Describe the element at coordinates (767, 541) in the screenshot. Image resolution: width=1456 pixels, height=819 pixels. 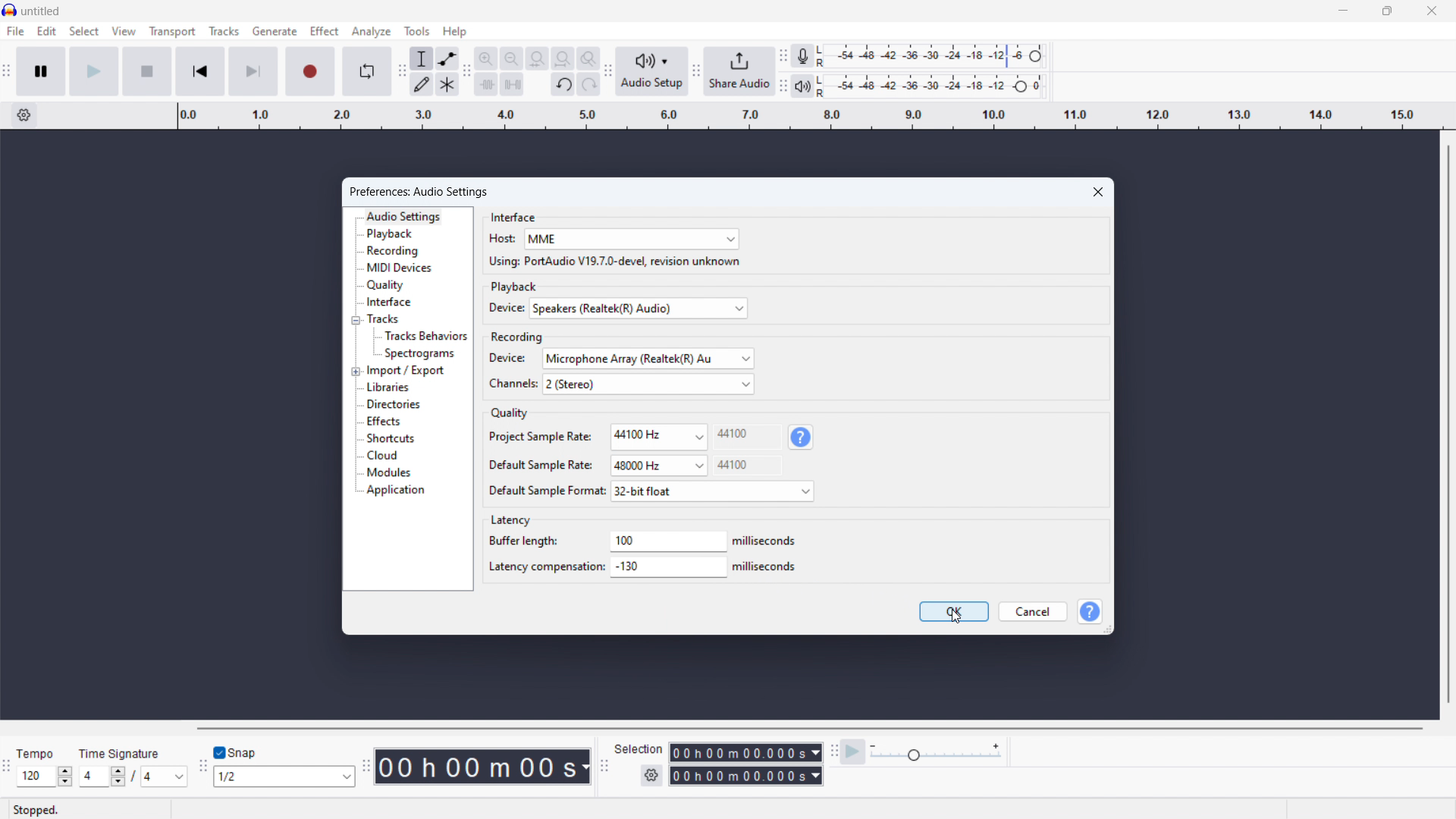
I see `milliseconds` at that location.